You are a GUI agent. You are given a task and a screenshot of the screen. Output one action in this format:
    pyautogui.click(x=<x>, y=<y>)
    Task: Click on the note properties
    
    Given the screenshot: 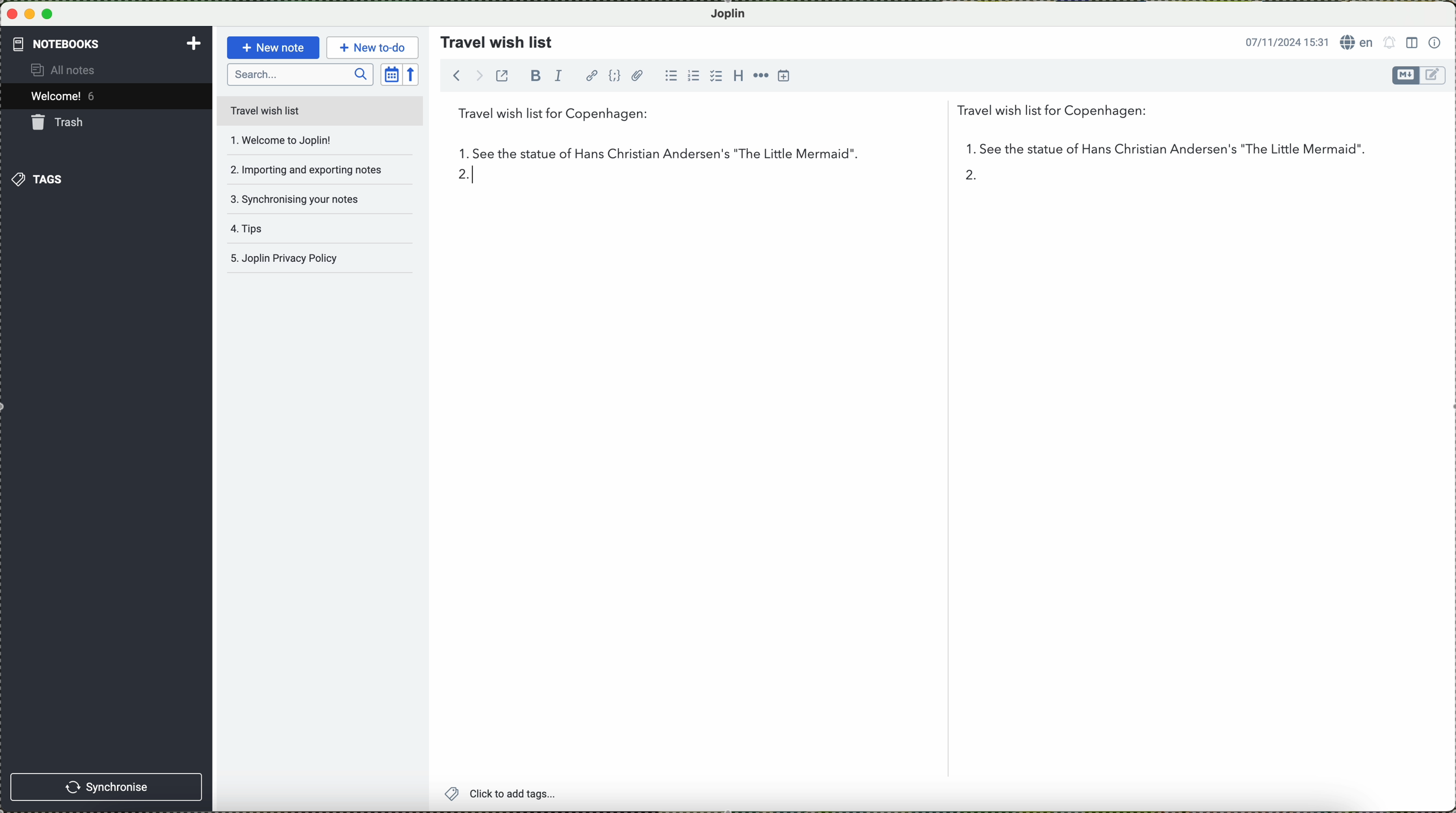 What is the action you would take?
    pyautogui.click(x=1435, y=41)
    